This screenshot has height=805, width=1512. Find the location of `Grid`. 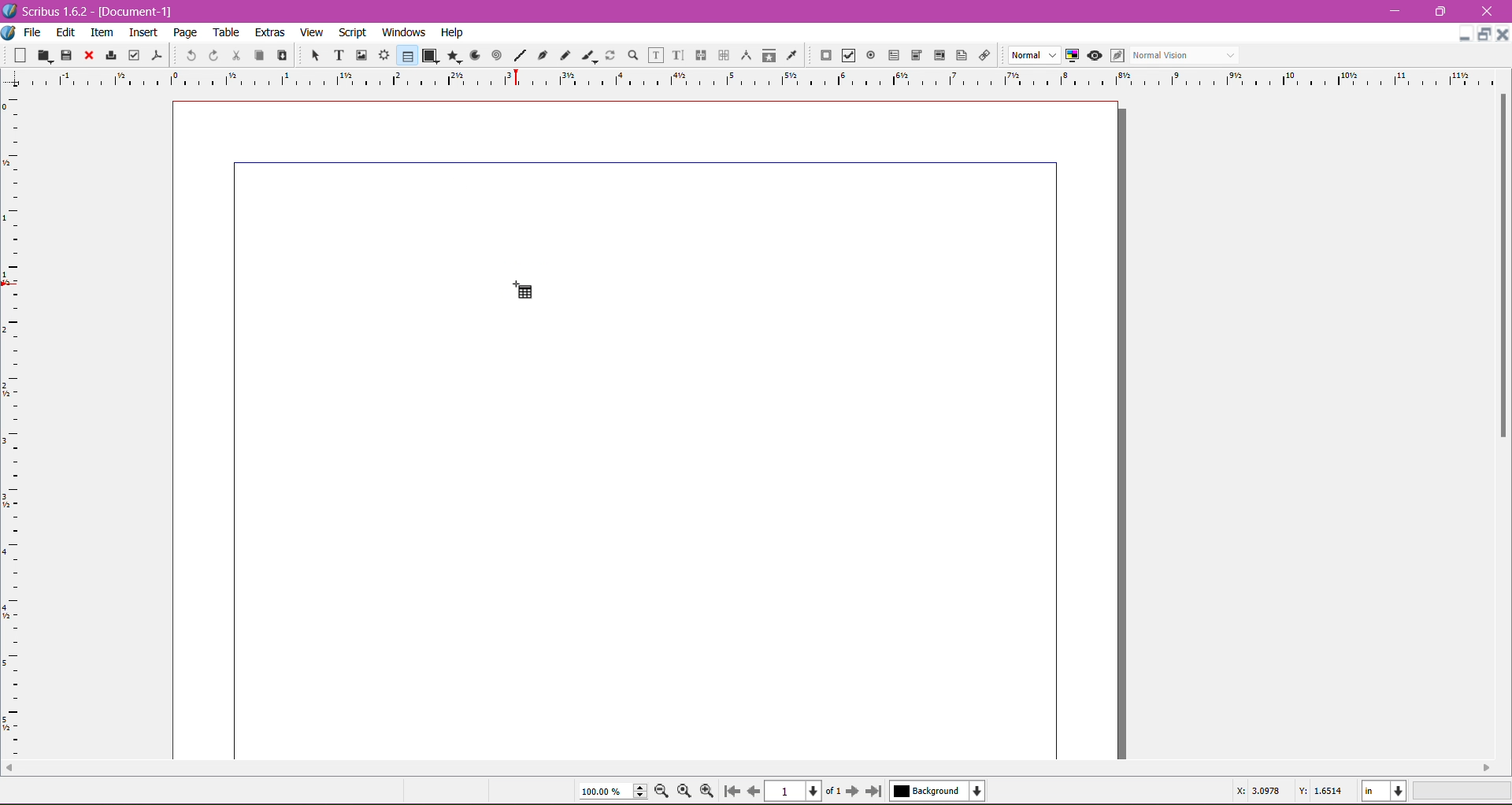

Grid is located at coordinates (20, 426).